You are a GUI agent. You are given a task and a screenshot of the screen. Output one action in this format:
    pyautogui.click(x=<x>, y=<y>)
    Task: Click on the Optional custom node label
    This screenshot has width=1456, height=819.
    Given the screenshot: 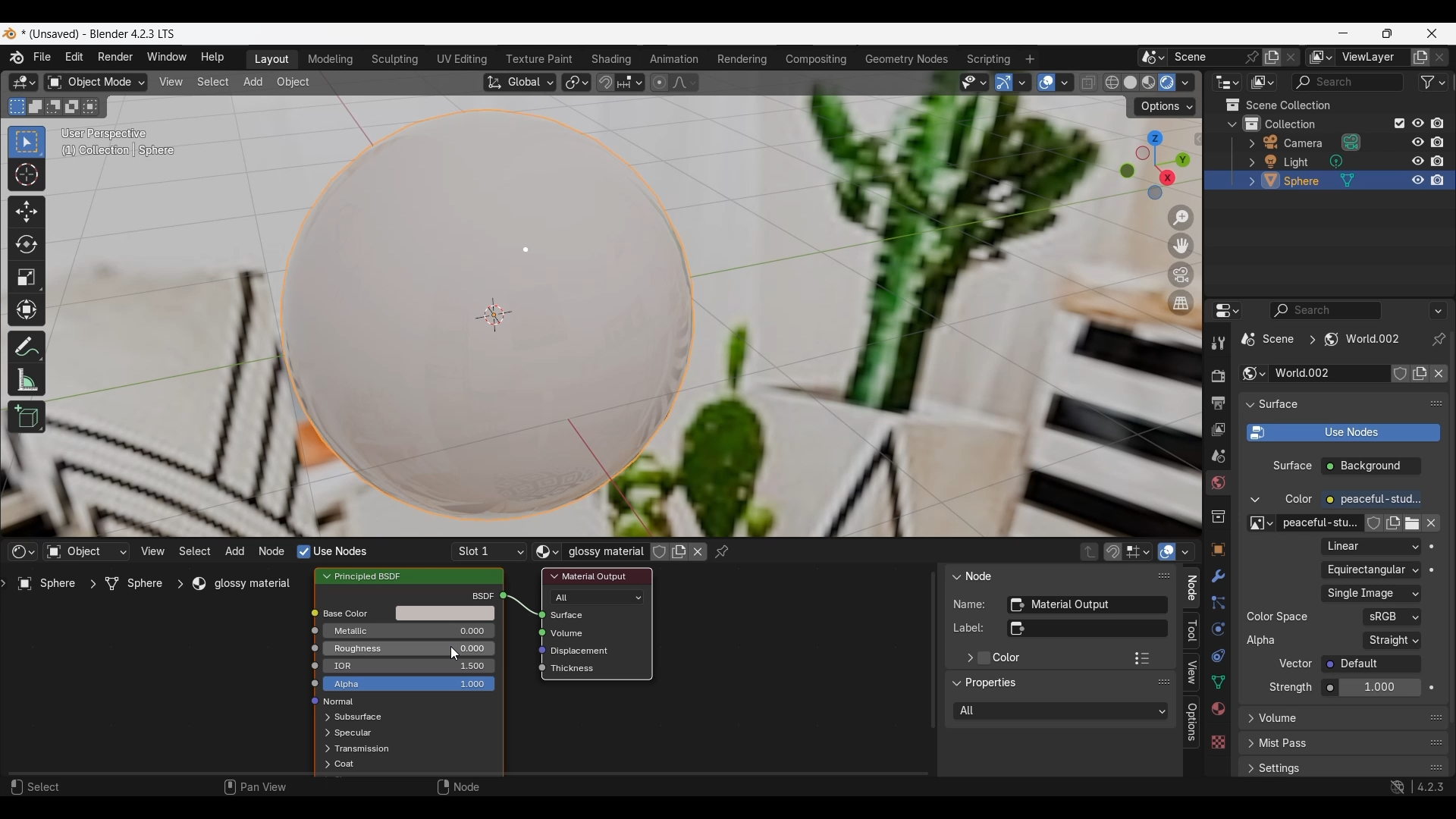 What is the action you would take?
    pyautogui.click(x=1087, y=629)
    